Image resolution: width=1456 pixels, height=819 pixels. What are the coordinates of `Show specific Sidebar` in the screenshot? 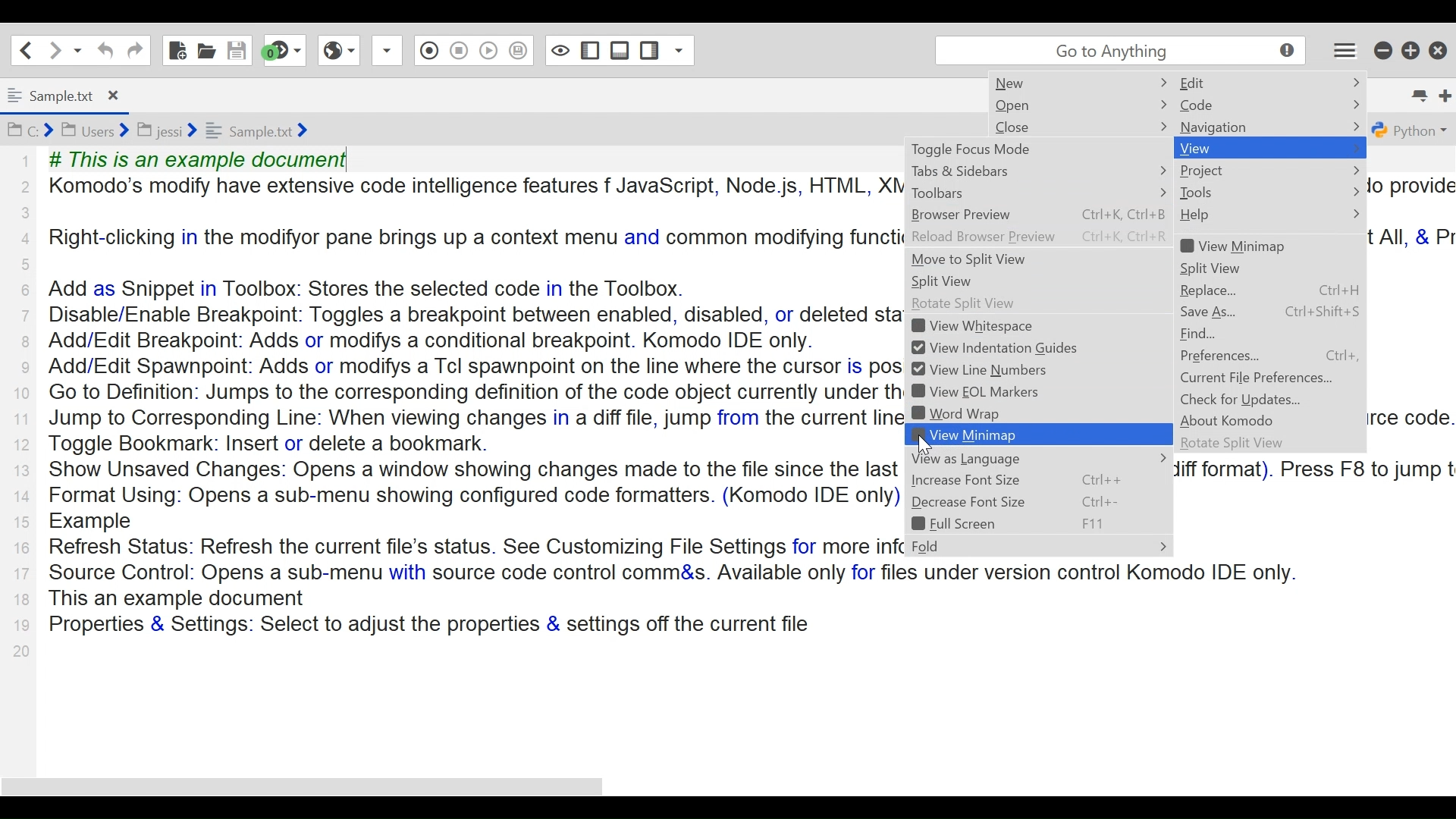 It's located at (665, 48).